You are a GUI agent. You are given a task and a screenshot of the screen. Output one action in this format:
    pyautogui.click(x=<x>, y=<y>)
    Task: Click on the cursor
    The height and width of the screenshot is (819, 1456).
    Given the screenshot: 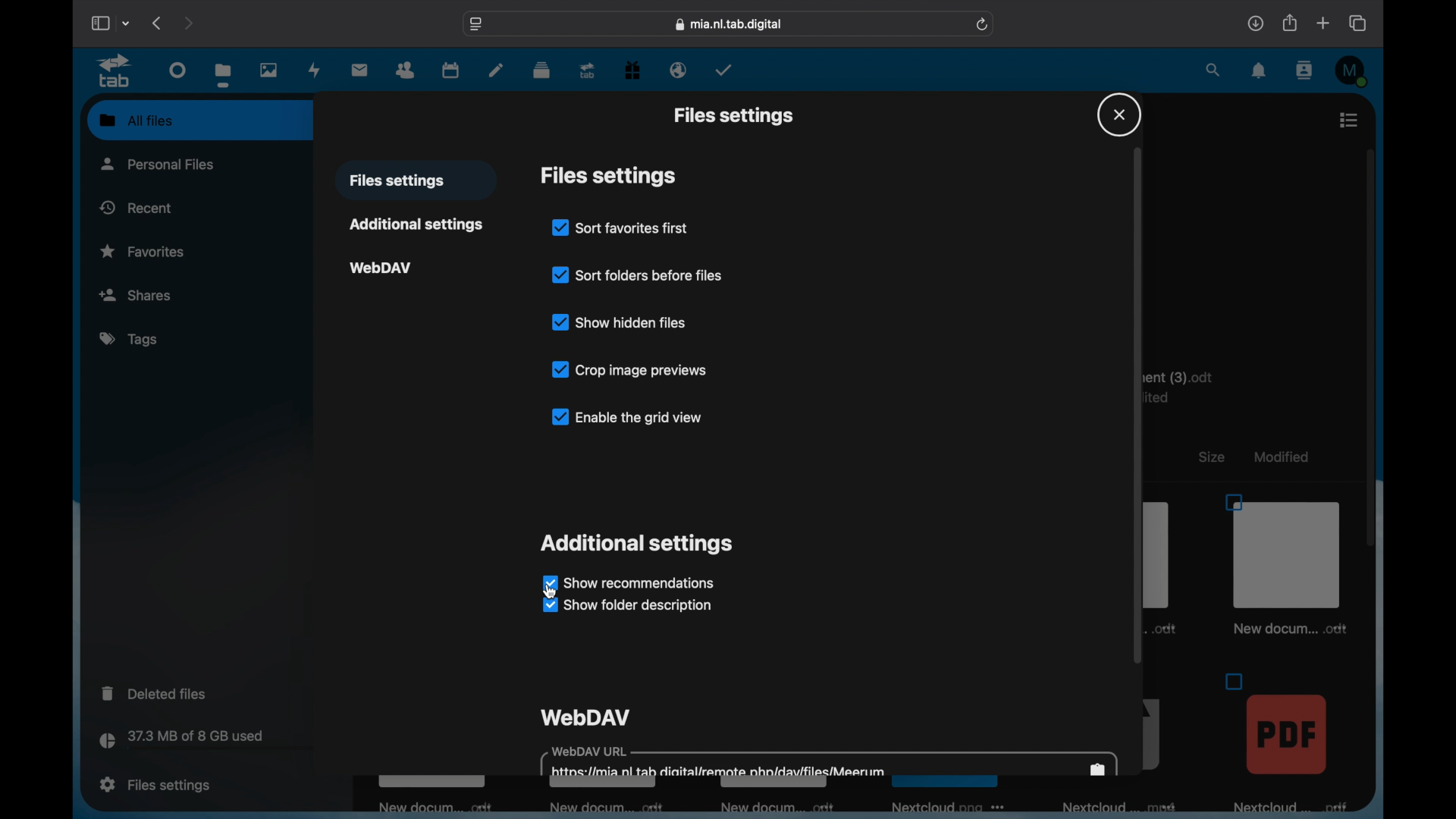 What is the action you would take?
    pyautogui.click(x=554, y=594)
    